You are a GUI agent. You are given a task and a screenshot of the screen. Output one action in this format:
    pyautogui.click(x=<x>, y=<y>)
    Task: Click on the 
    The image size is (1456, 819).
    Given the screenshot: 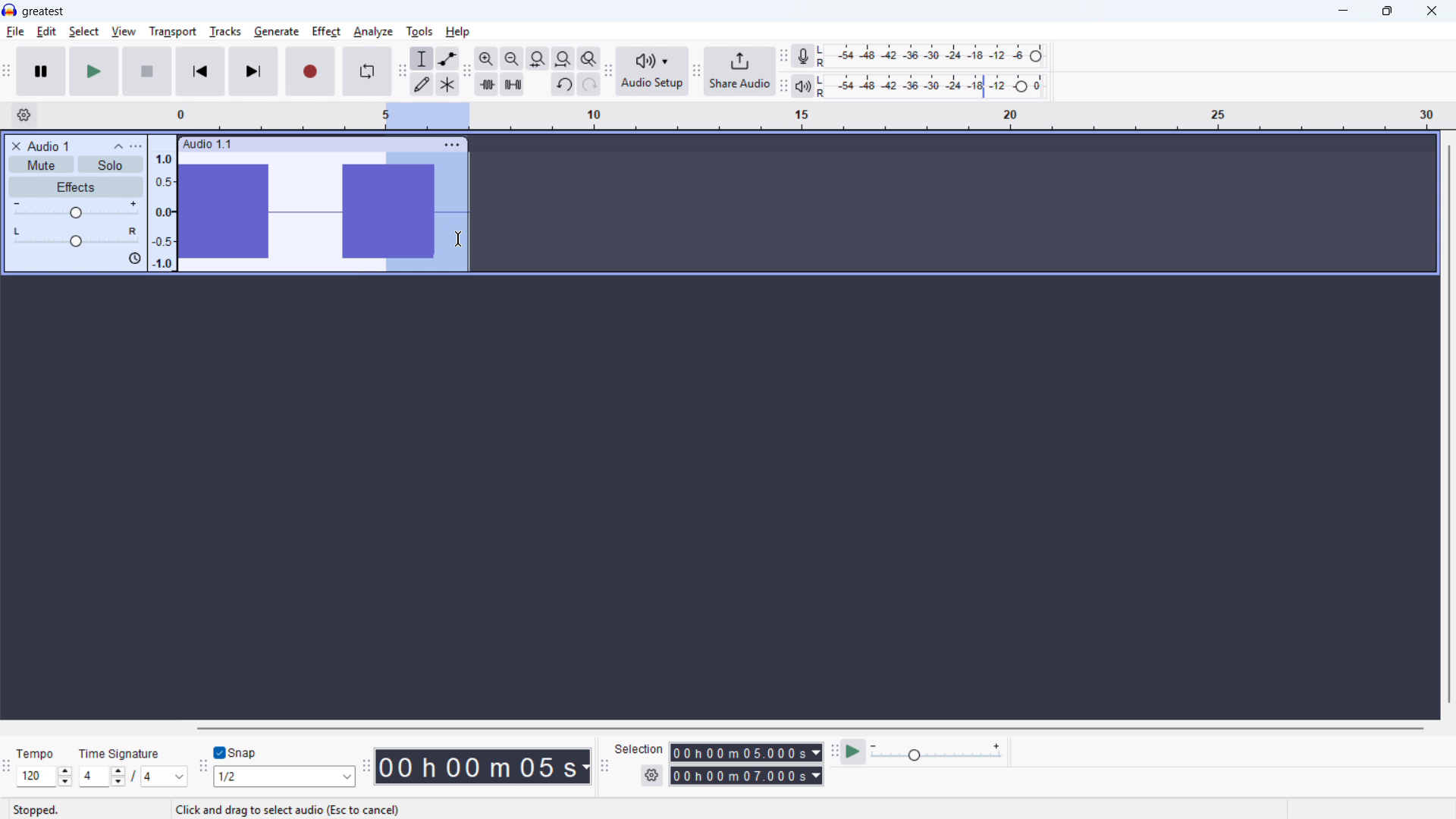 What is the action you would take?
    pyautogui.click(x=119, y=754)
    